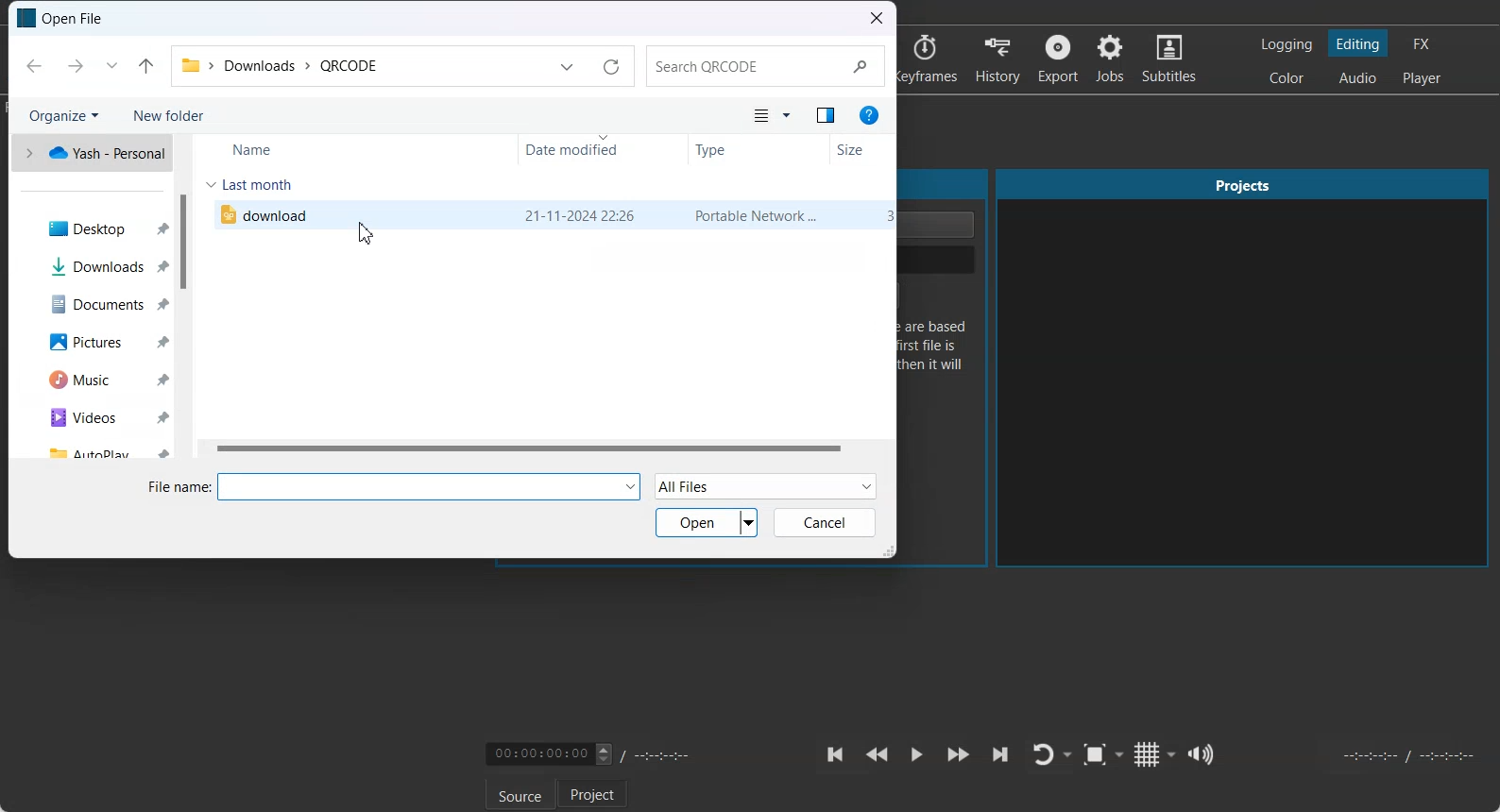 The width and height of the screenshot is (1500, 812). I want to click on AutoPlay, so click(92, 450).